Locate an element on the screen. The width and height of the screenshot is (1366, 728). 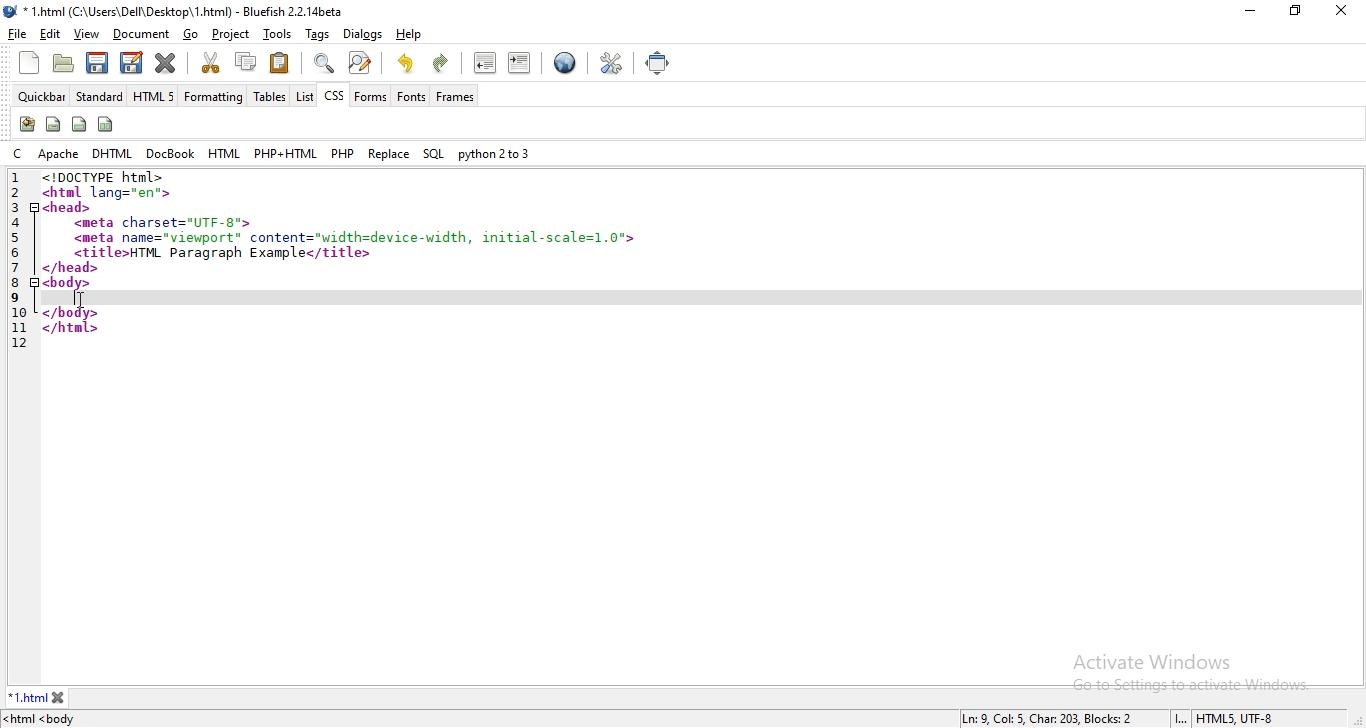
Ln: 9, Col: 5, Char: 203, Blocks: 2 is located at coordinates (1053, 719).